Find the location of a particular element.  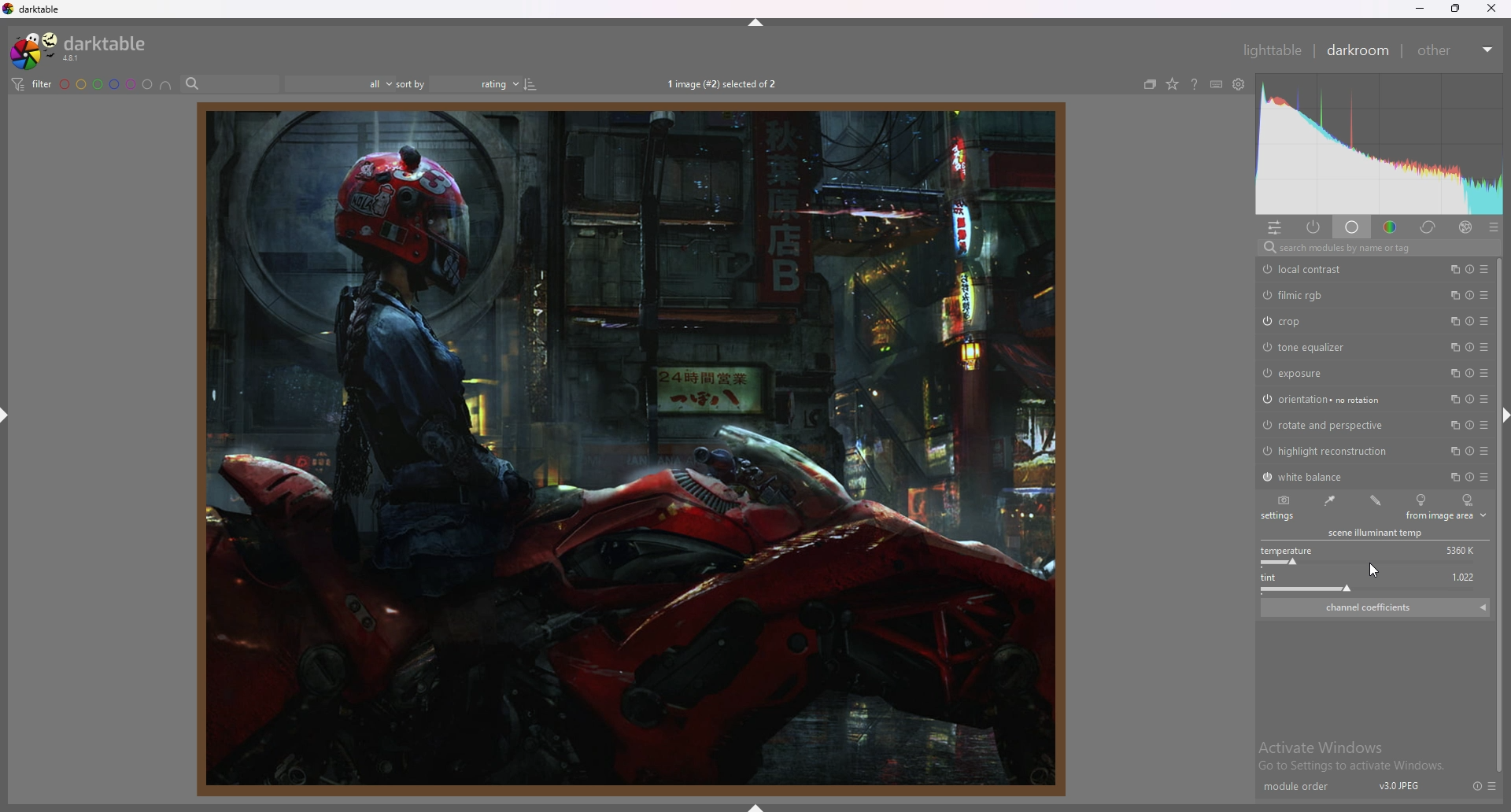

crop is located at coordinates (1313, 321).